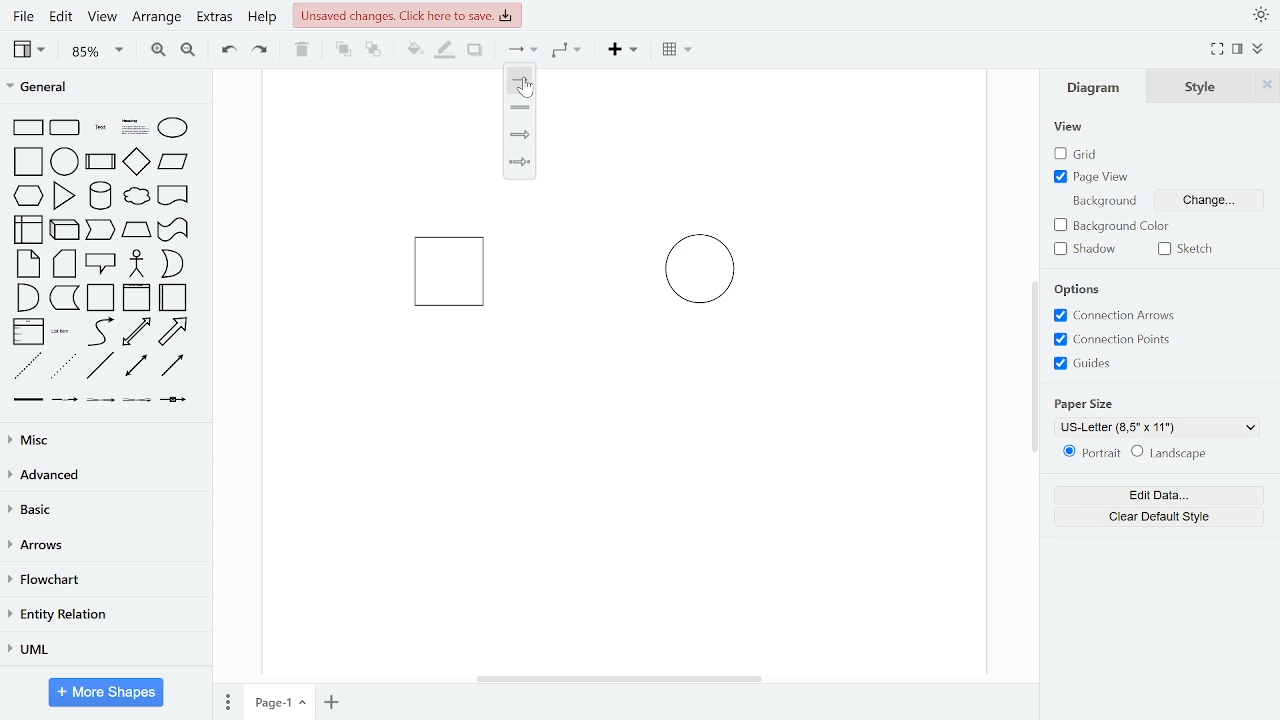 This screenshot has height=720, width=1280. What do you see at coordinates (101, 163) in the screenshot?
I see `process` at bounding box center [101, 163].